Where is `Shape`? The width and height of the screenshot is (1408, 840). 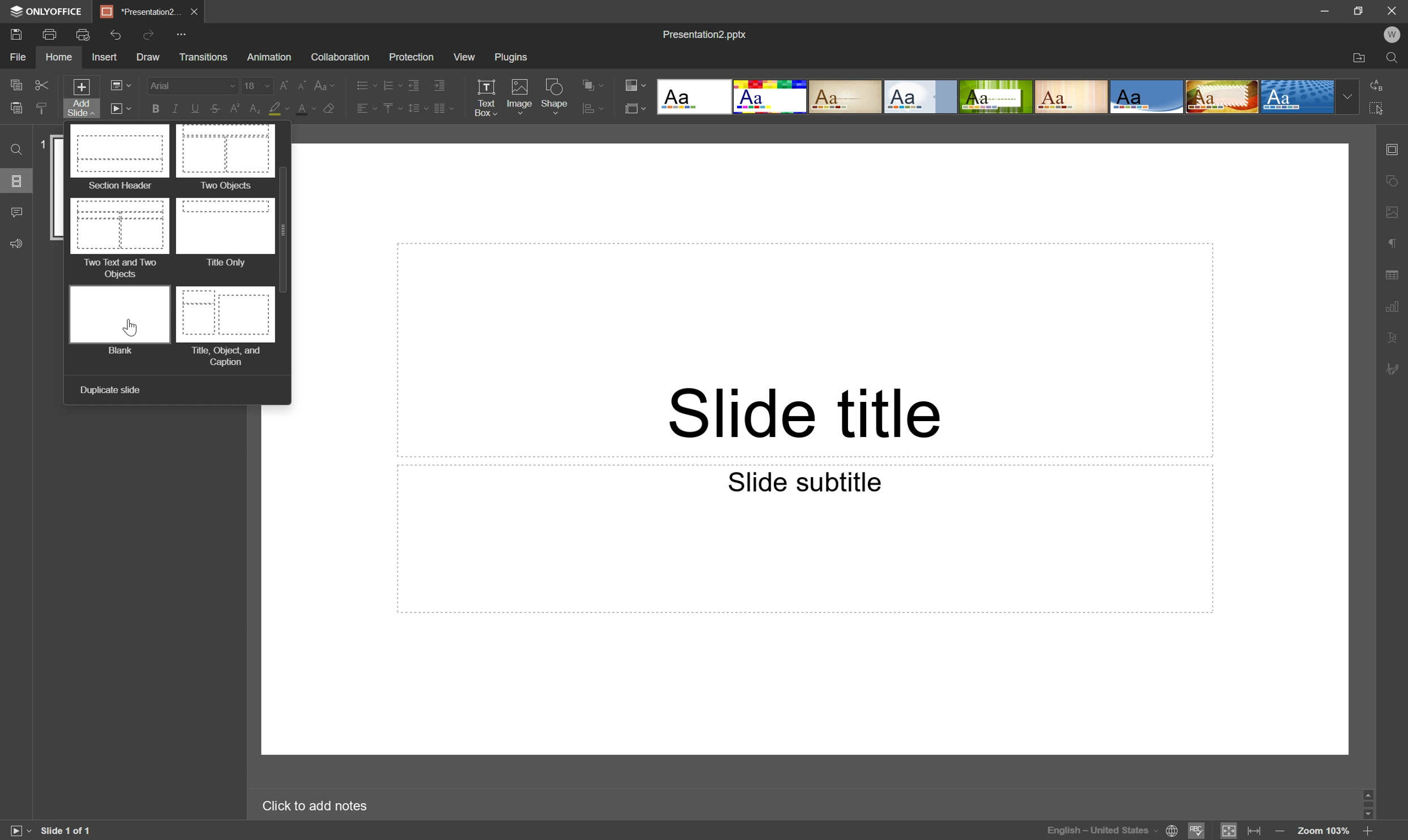
Shape is located at coordinates (557, 96).